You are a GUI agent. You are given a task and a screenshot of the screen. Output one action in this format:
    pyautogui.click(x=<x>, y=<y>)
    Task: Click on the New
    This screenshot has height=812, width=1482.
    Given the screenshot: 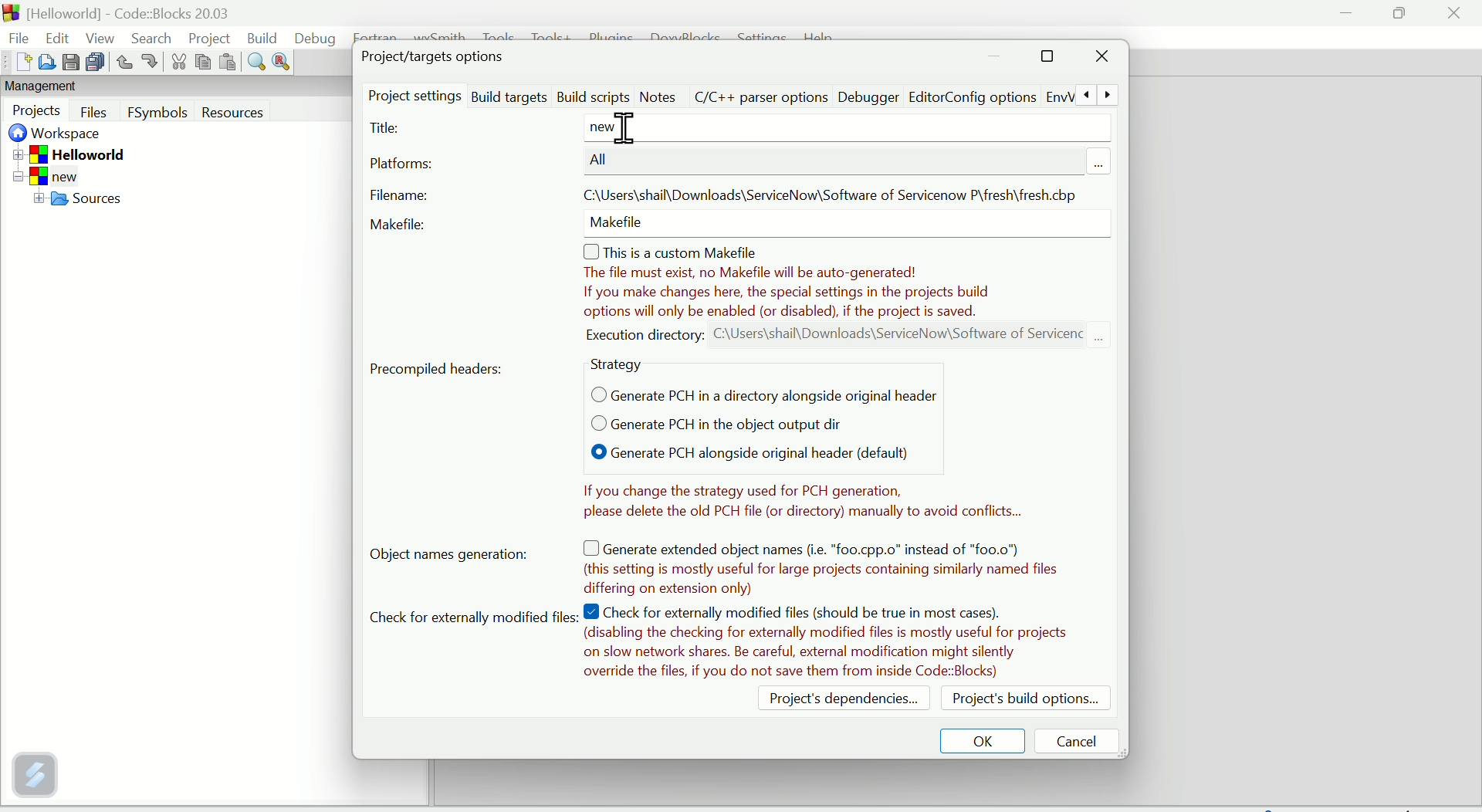 What is the action you would take?
    pyautogui.click(x=17, y=63)
    